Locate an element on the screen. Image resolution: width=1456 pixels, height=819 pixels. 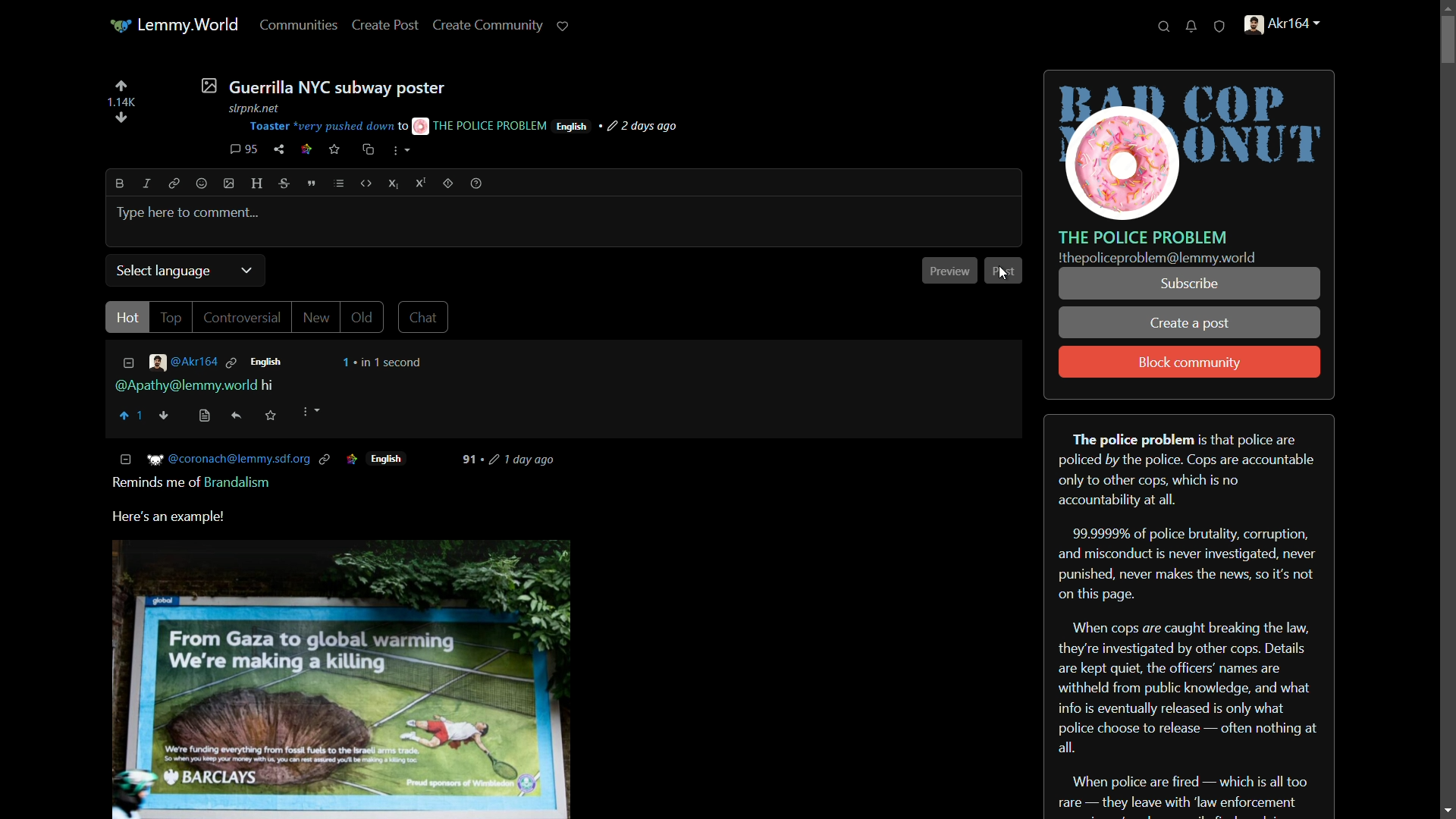
THE POLICE PROBLEM is located at coordinates (481, 125).